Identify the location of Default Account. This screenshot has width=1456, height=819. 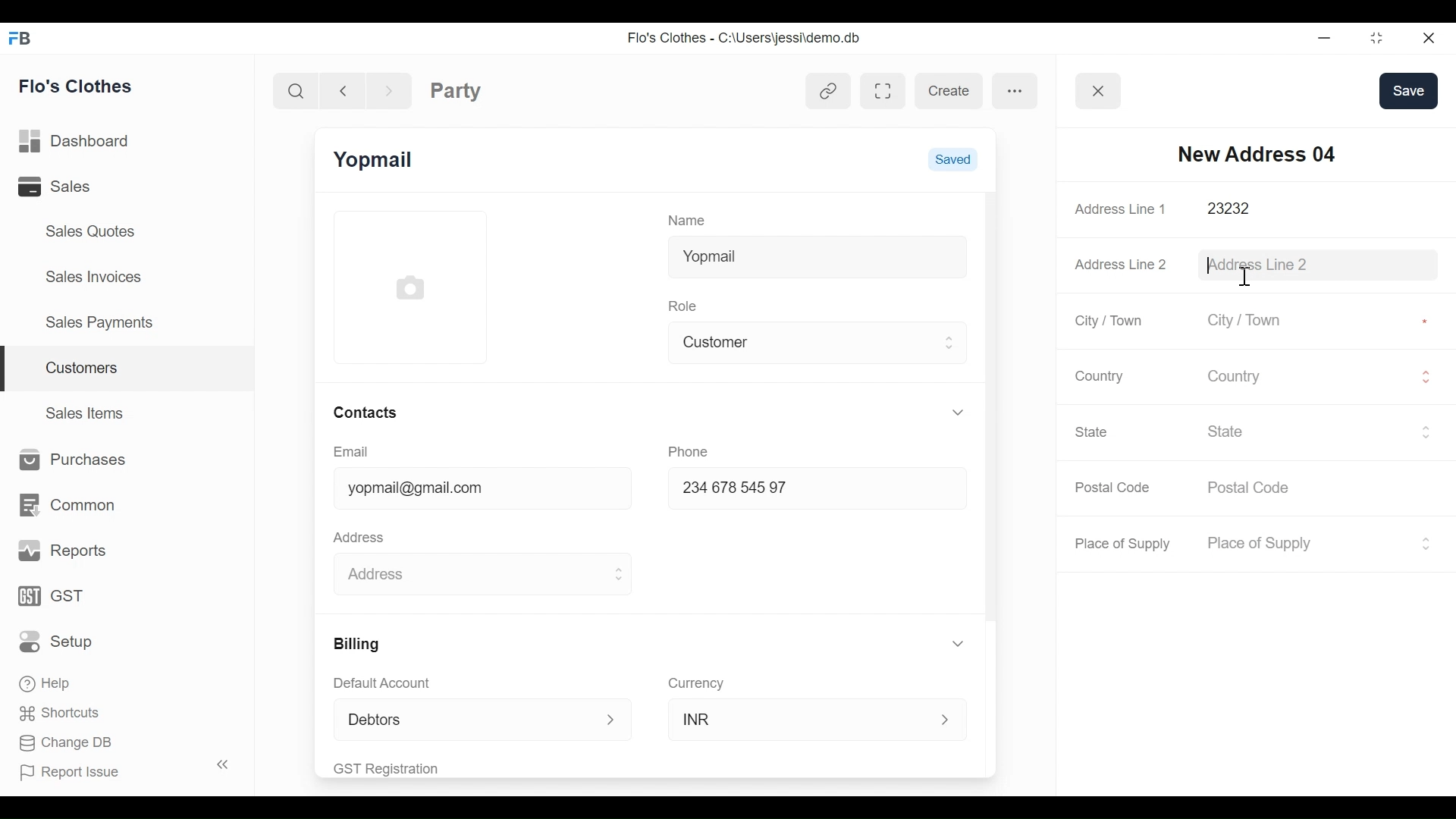
(392, 682).